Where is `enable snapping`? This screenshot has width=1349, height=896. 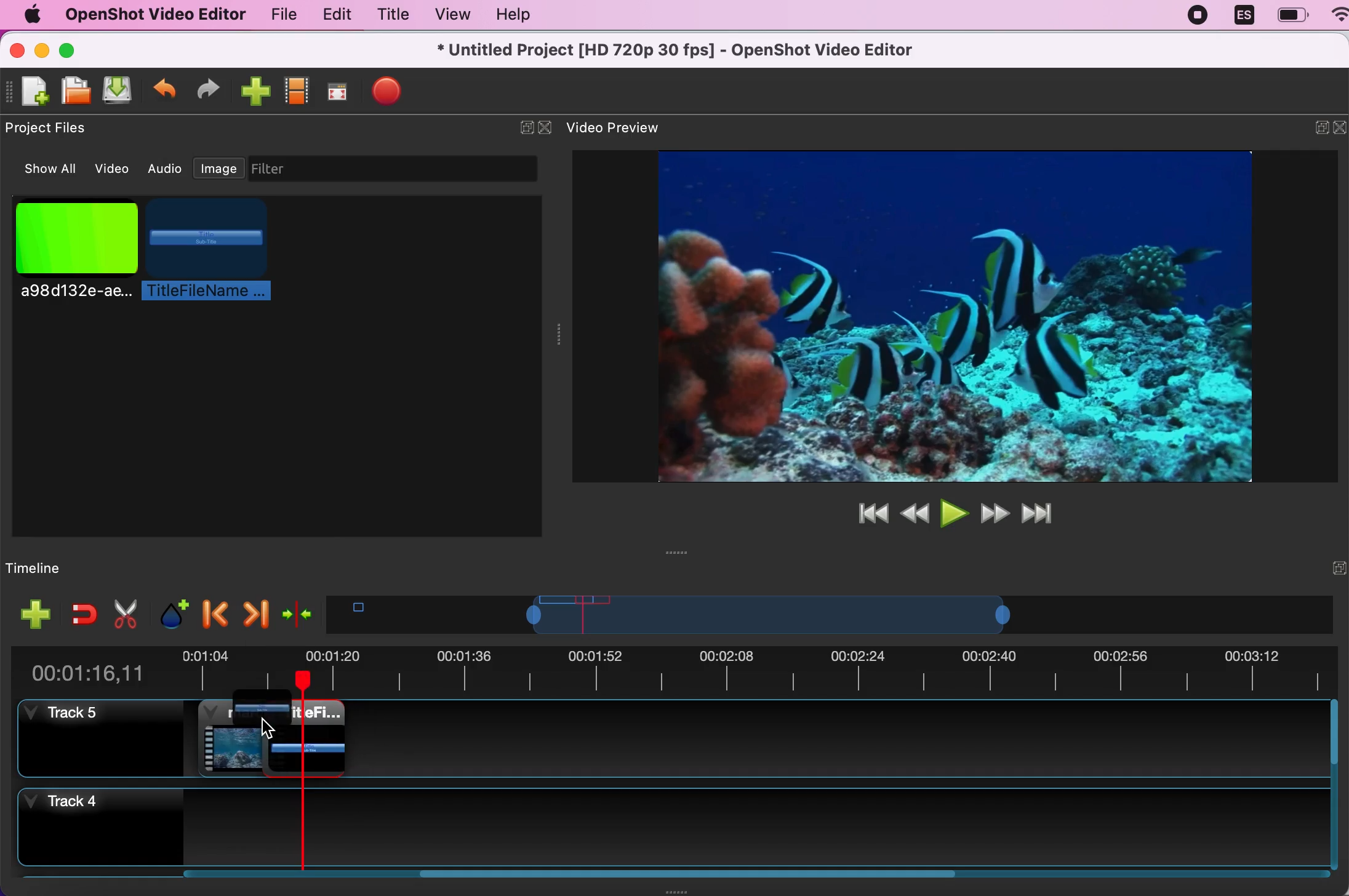 enable snapping is located at coordinates (79, 614).